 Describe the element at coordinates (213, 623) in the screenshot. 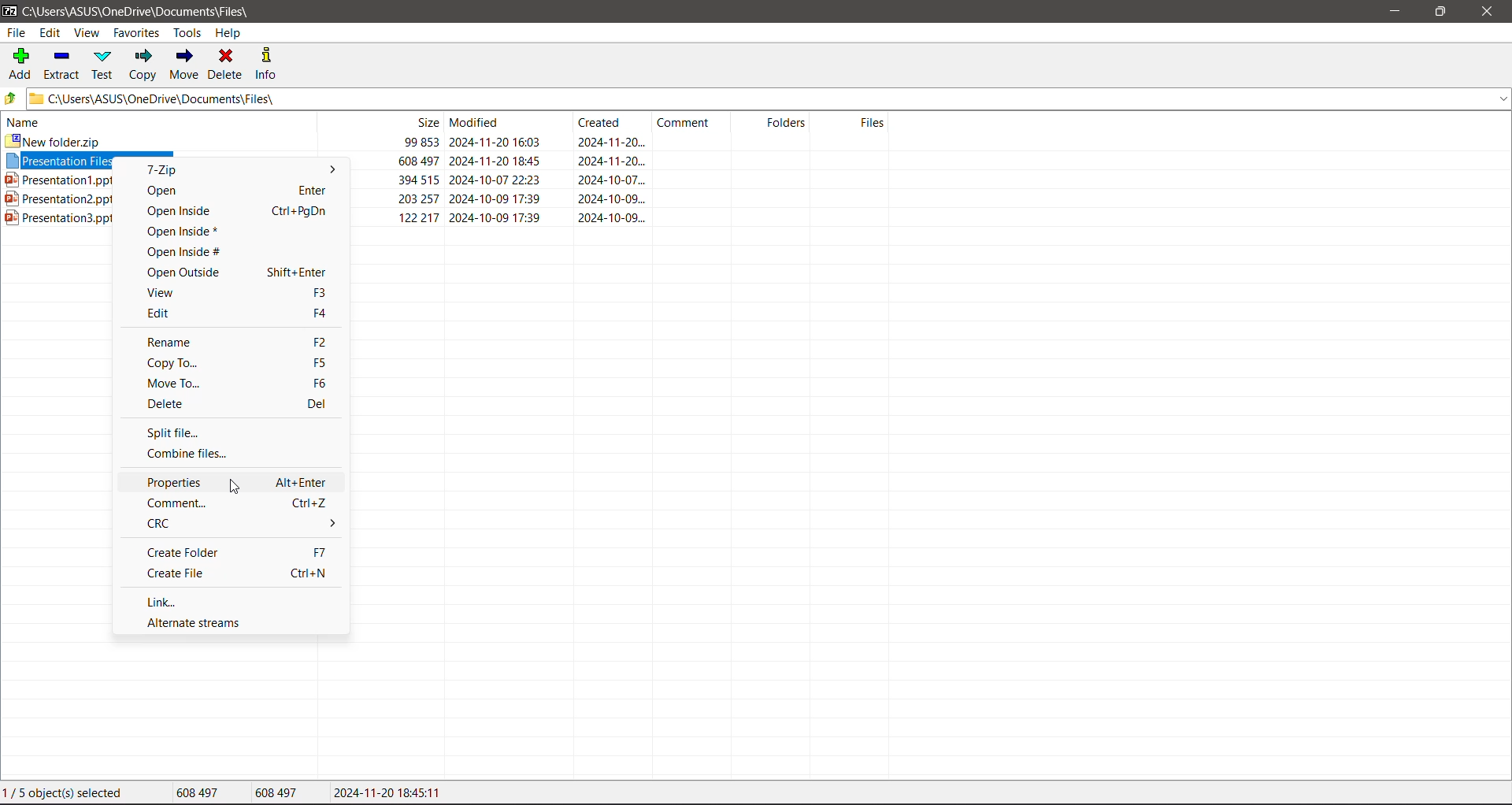

I see `Alternate Streams` at that location.